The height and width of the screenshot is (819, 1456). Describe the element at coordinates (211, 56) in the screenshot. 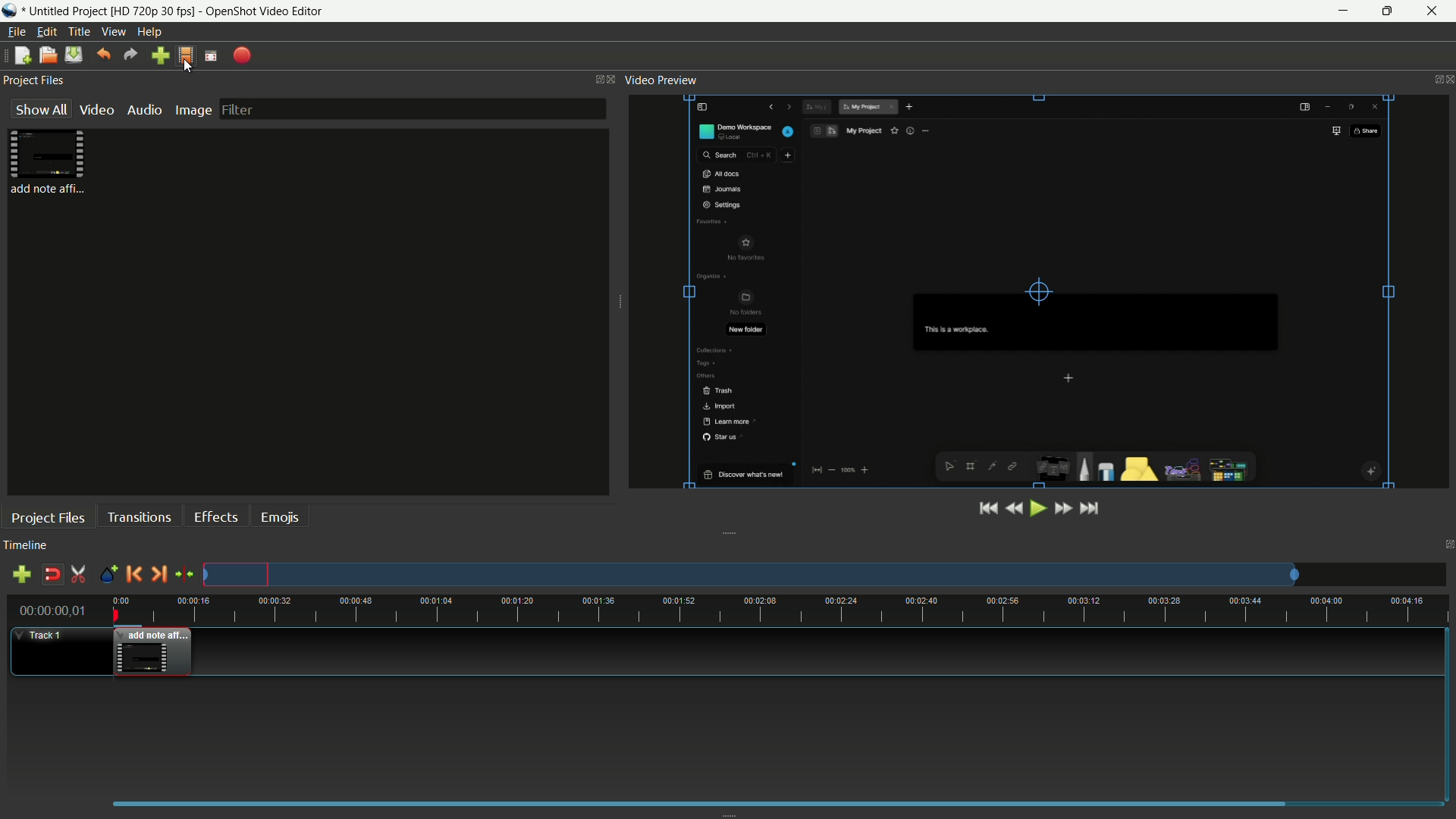

I see `full screen` at that location.